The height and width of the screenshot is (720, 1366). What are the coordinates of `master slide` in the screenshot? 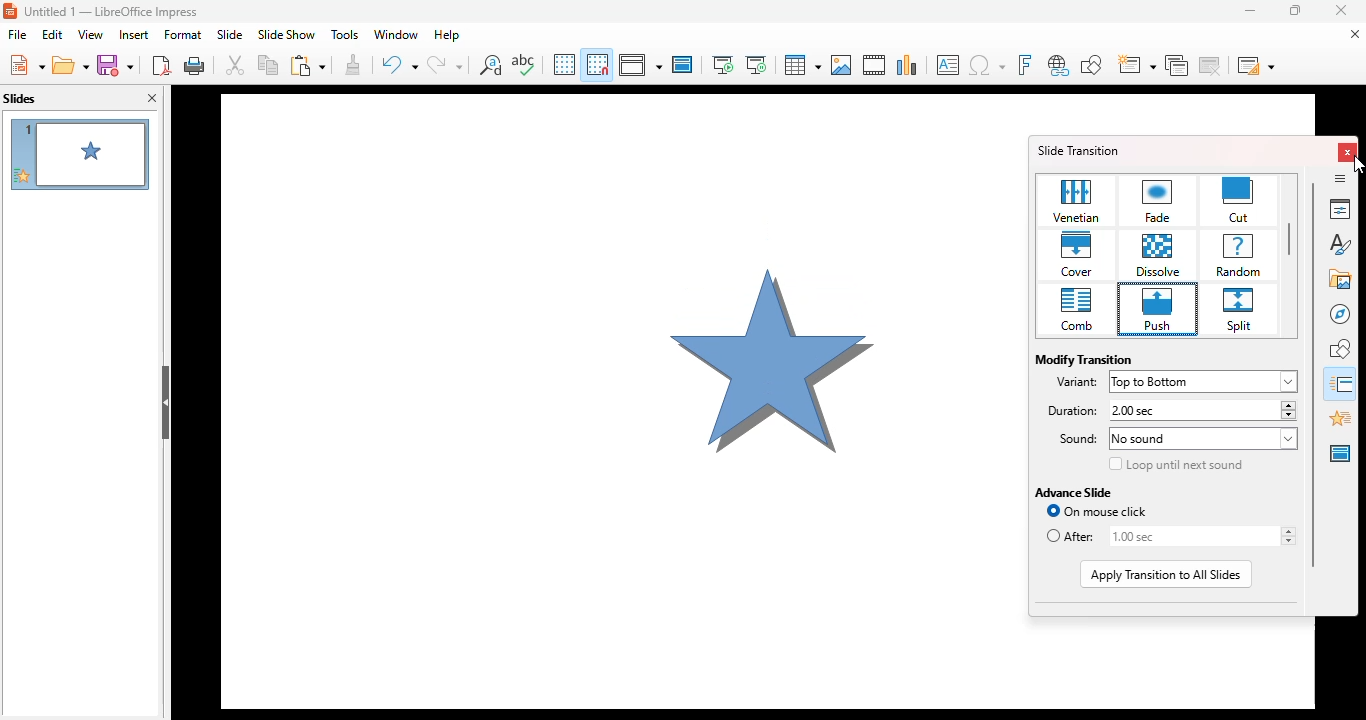 It's located at (1340, 453).